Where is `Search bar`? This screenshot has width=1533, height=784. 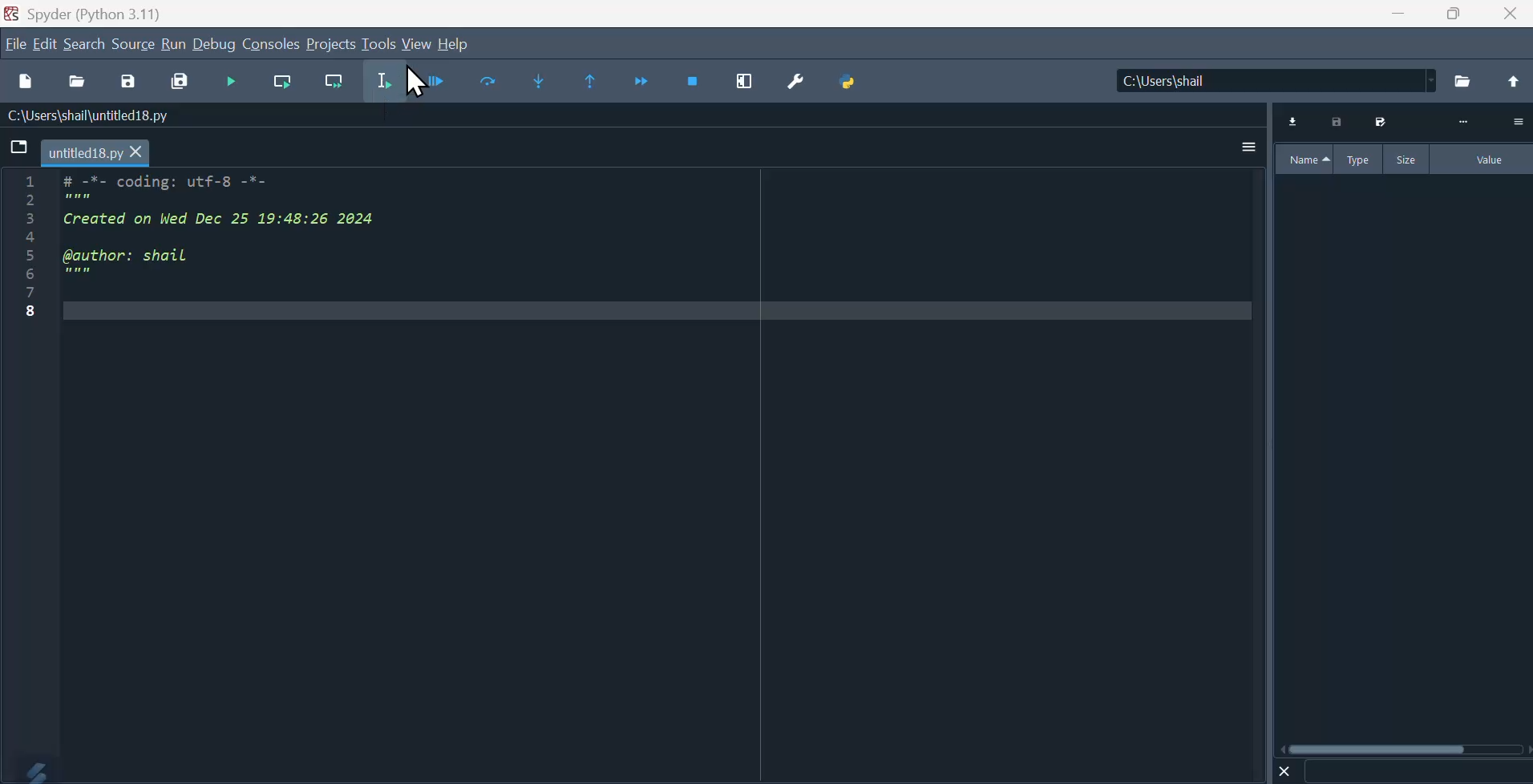 Search bar is located at coordinates (1417, 772).